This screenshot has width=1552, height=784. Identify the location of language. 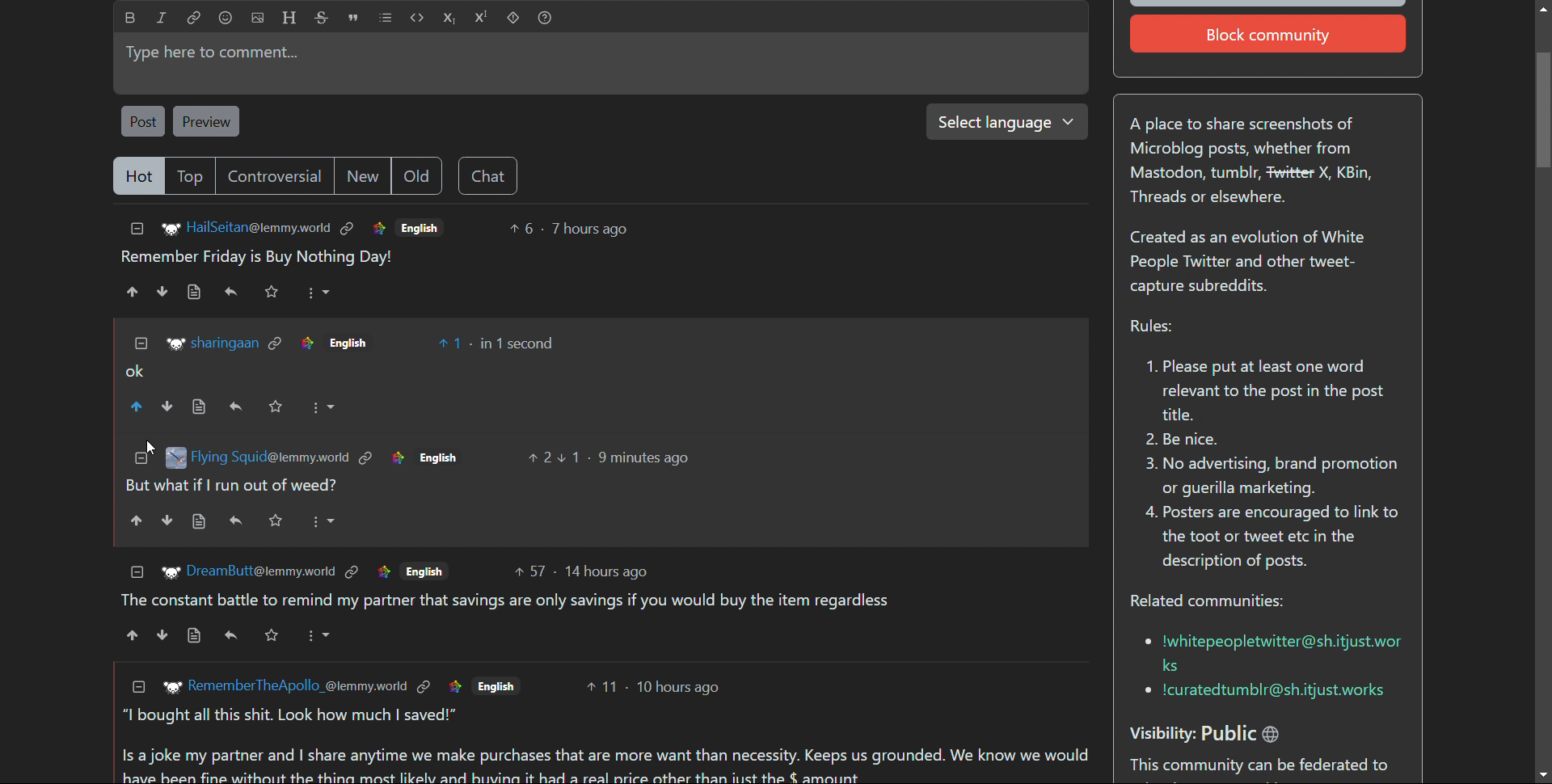
(362, 344).